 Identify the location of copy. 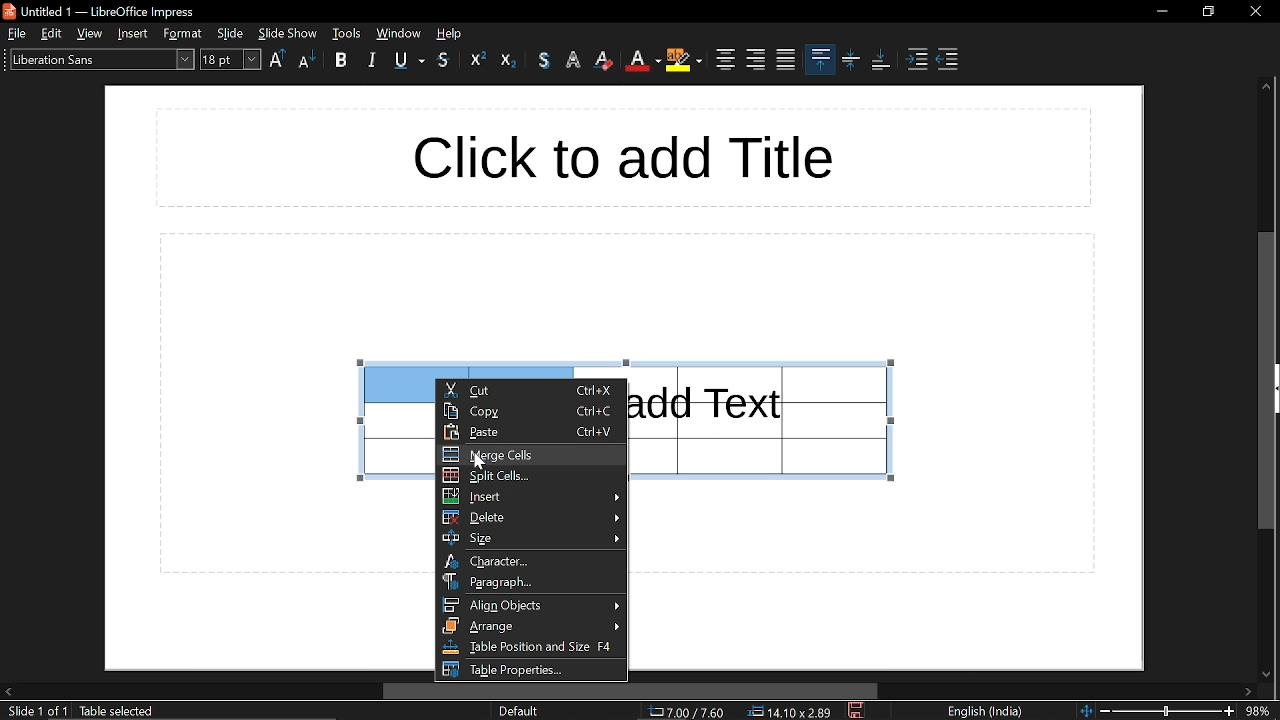
(532, 410).